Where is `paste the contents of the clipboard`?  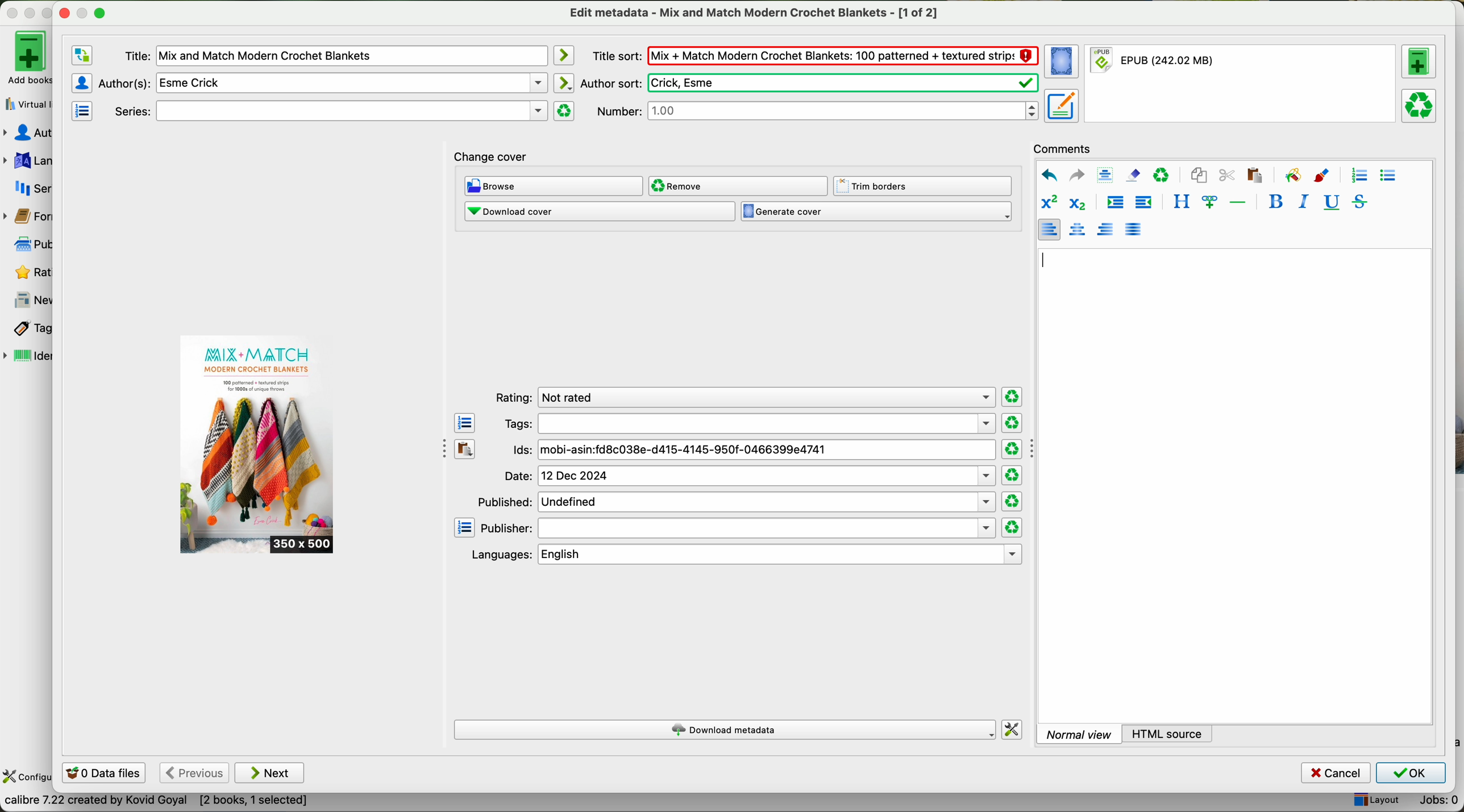
paste the contents of the clipboard is located at coordinates (465, 449).